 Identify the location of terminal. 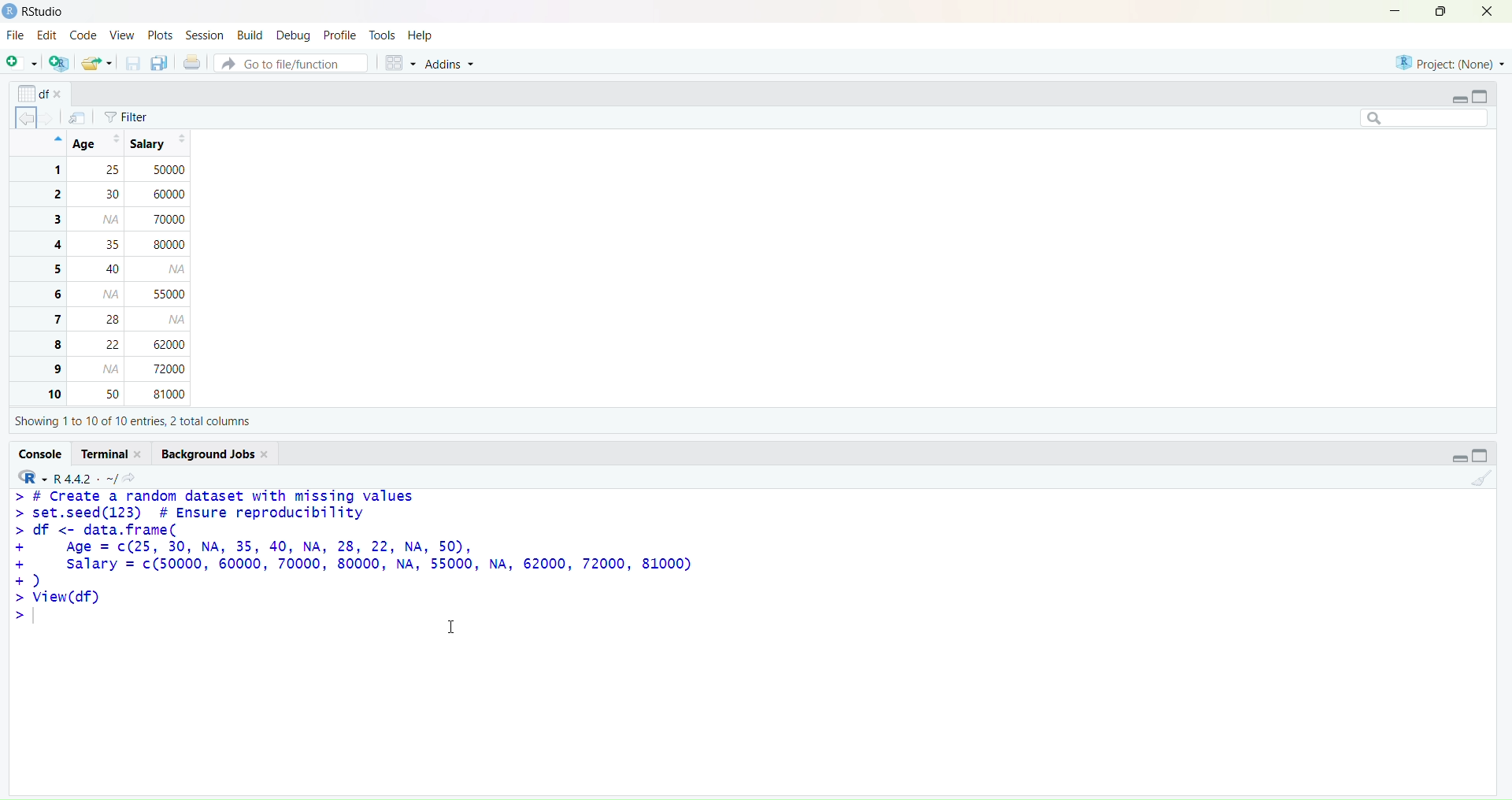
(112, 454).